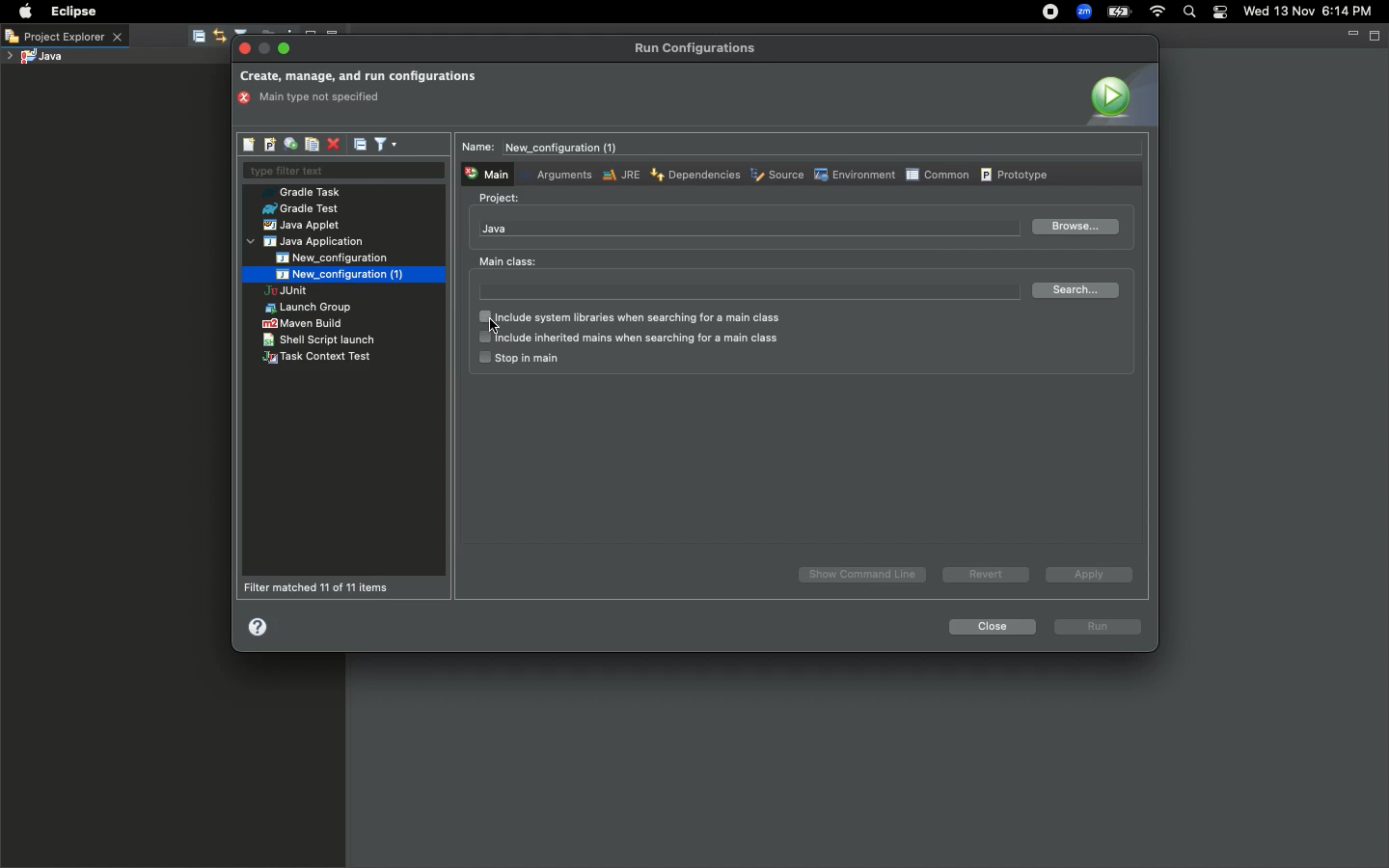 The image size is (1389, 868). Describe the element at coordinates (246, 49) in the screenshot. I see `Close` at that location.